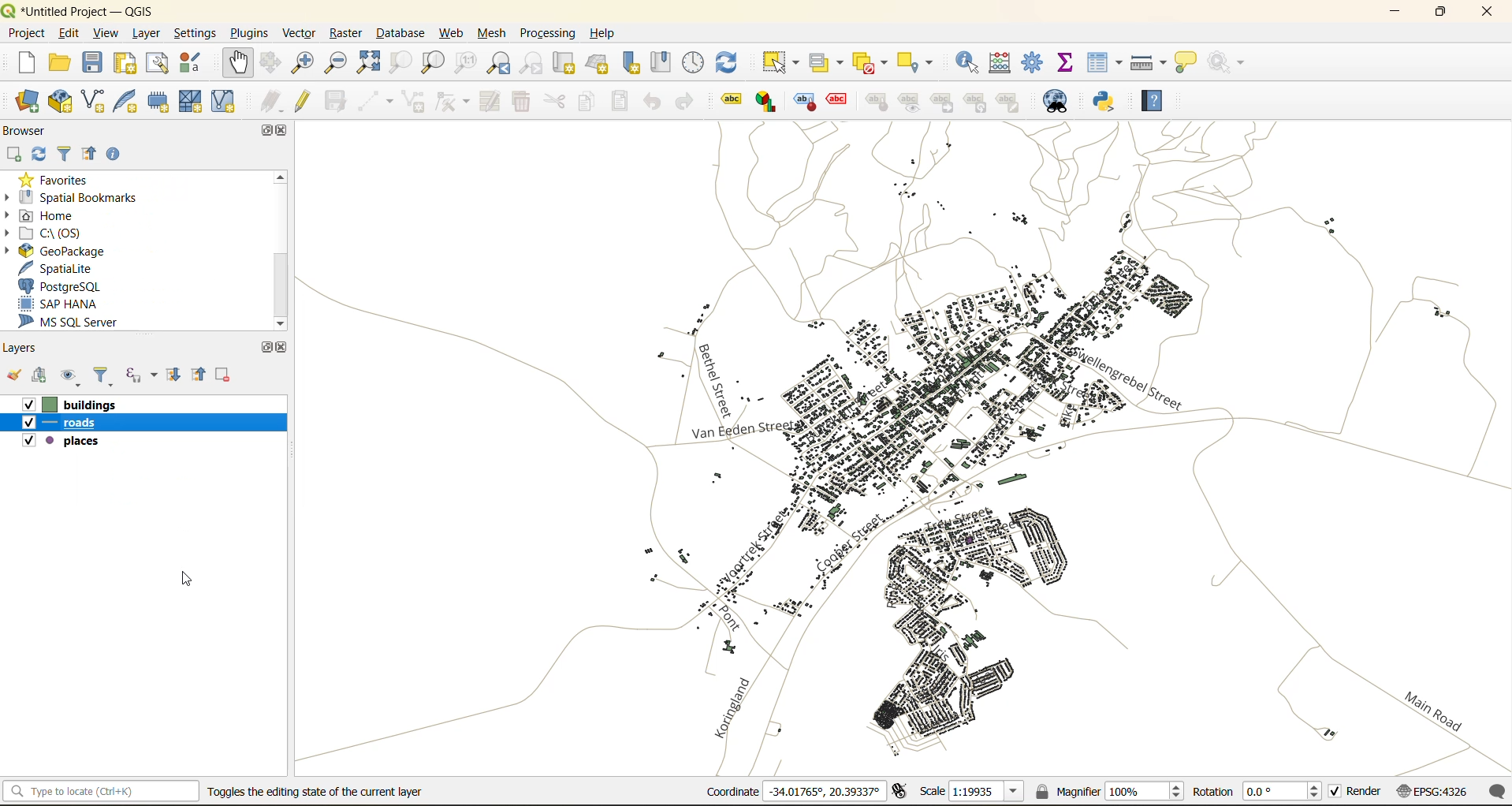 The image size is (1512, 806). What do you see at coordinates (112, 155) in the screenshot?
I see `enable properties` at bounding box center [112, 155].